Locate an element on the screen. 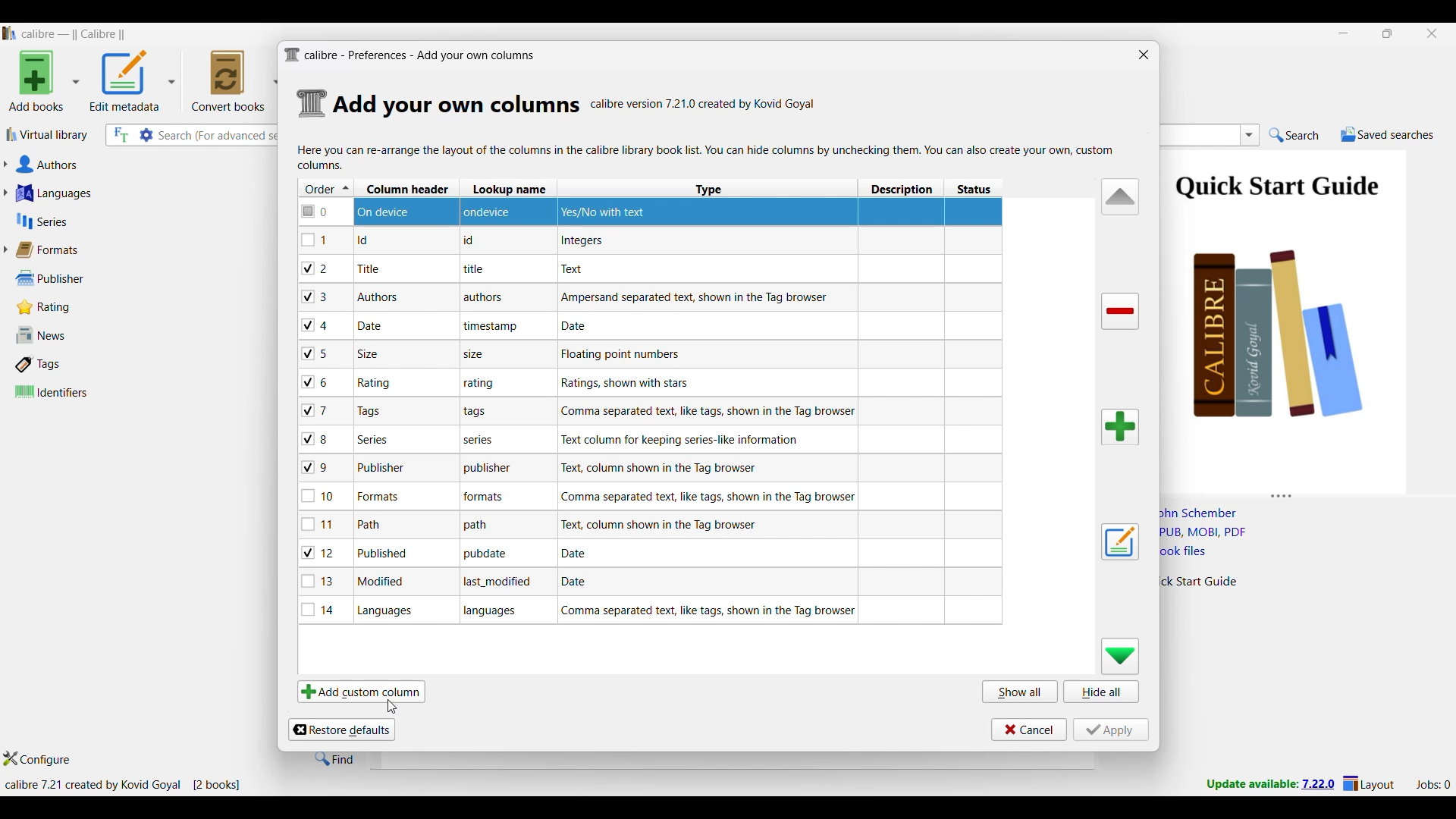 This screenshot has width=1456, height=819. note is located at coordinates (482, 271).